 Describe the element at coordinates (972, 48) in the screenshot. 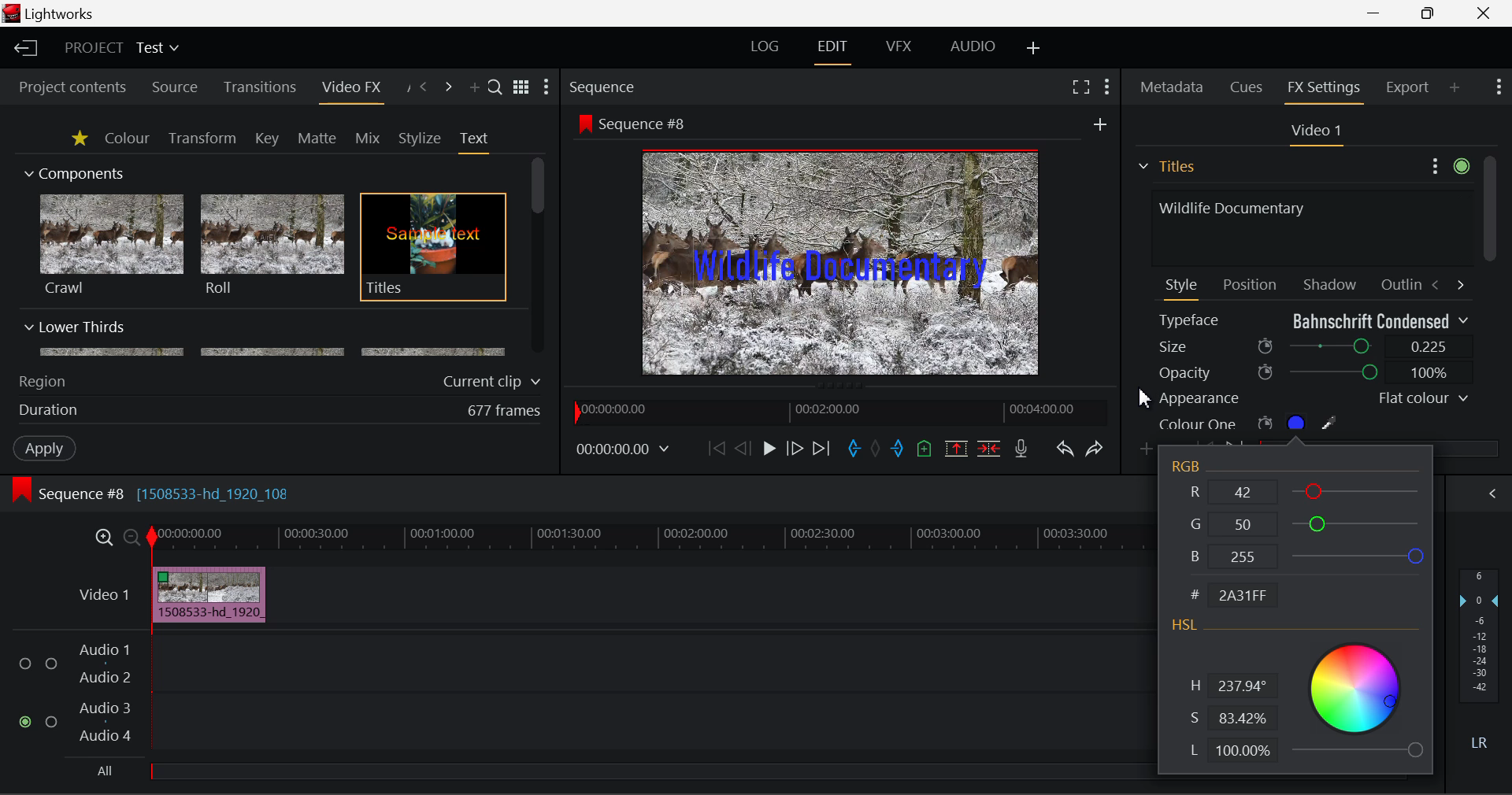

I see `AUDIO Layout` at that location.